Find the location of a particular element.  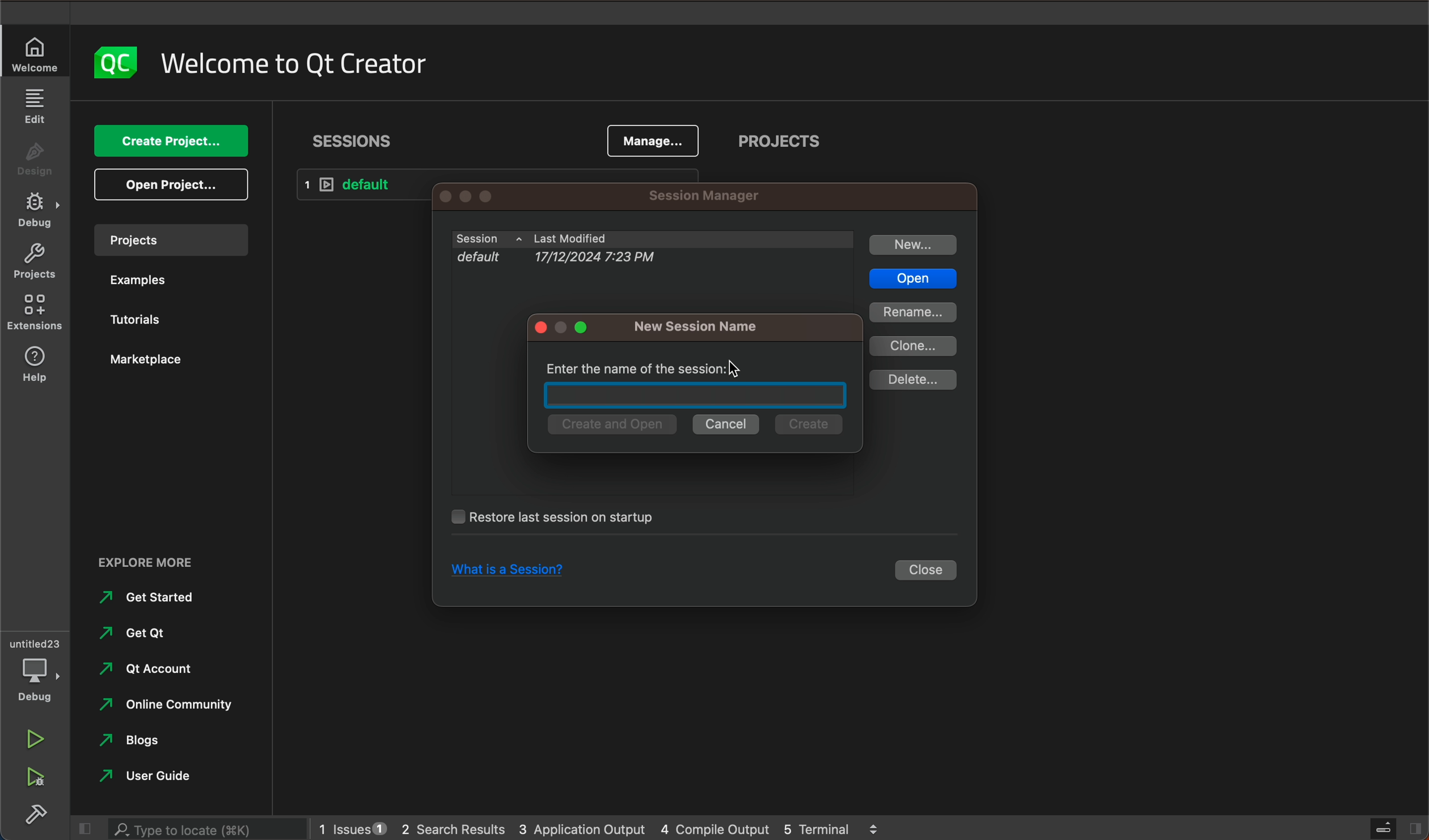

build is located at coordinates (35, 814).